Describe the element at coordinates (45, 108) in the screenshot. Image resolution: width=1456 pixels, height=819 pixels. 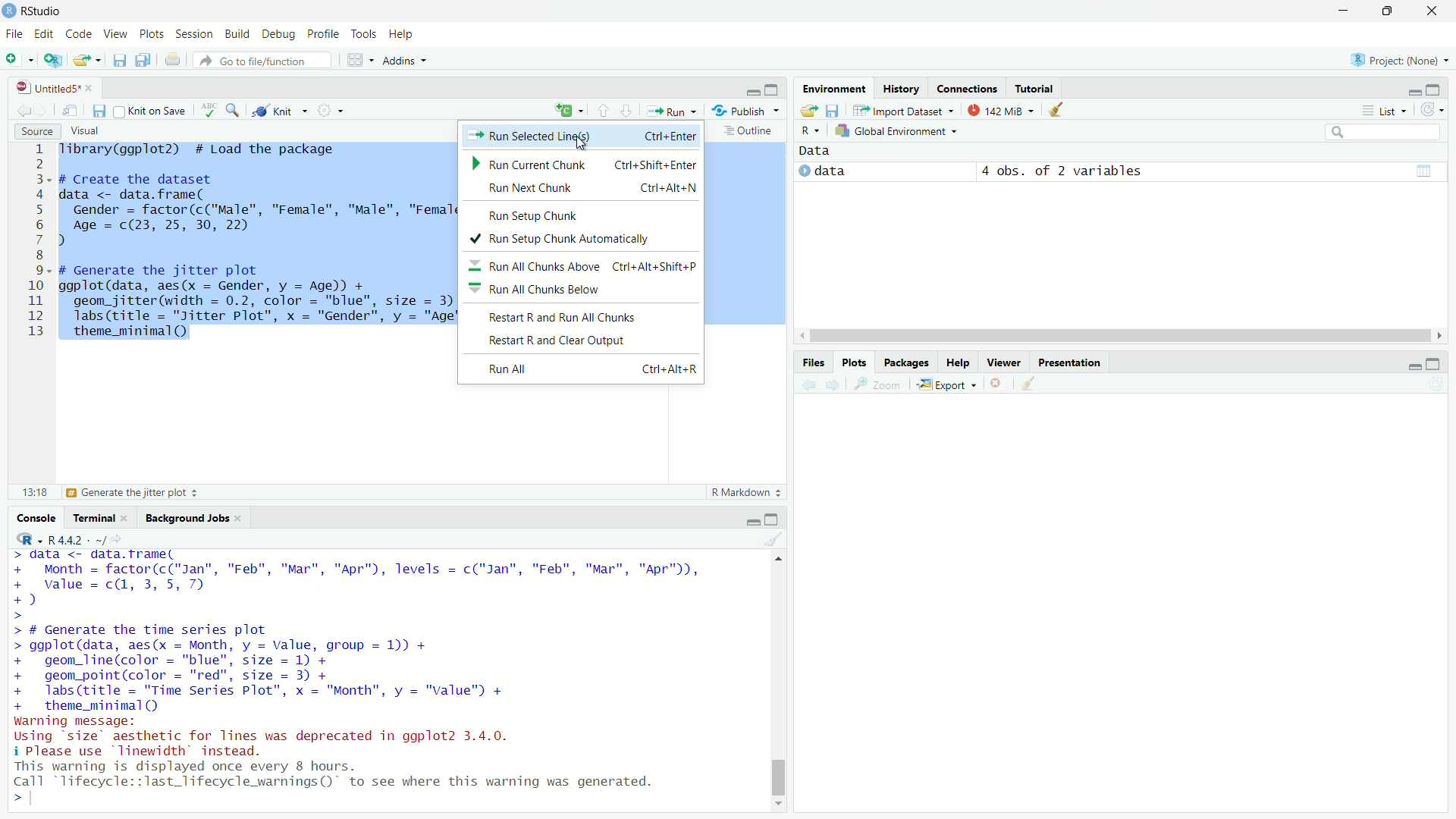
I see `go forward to next source location` at that location.